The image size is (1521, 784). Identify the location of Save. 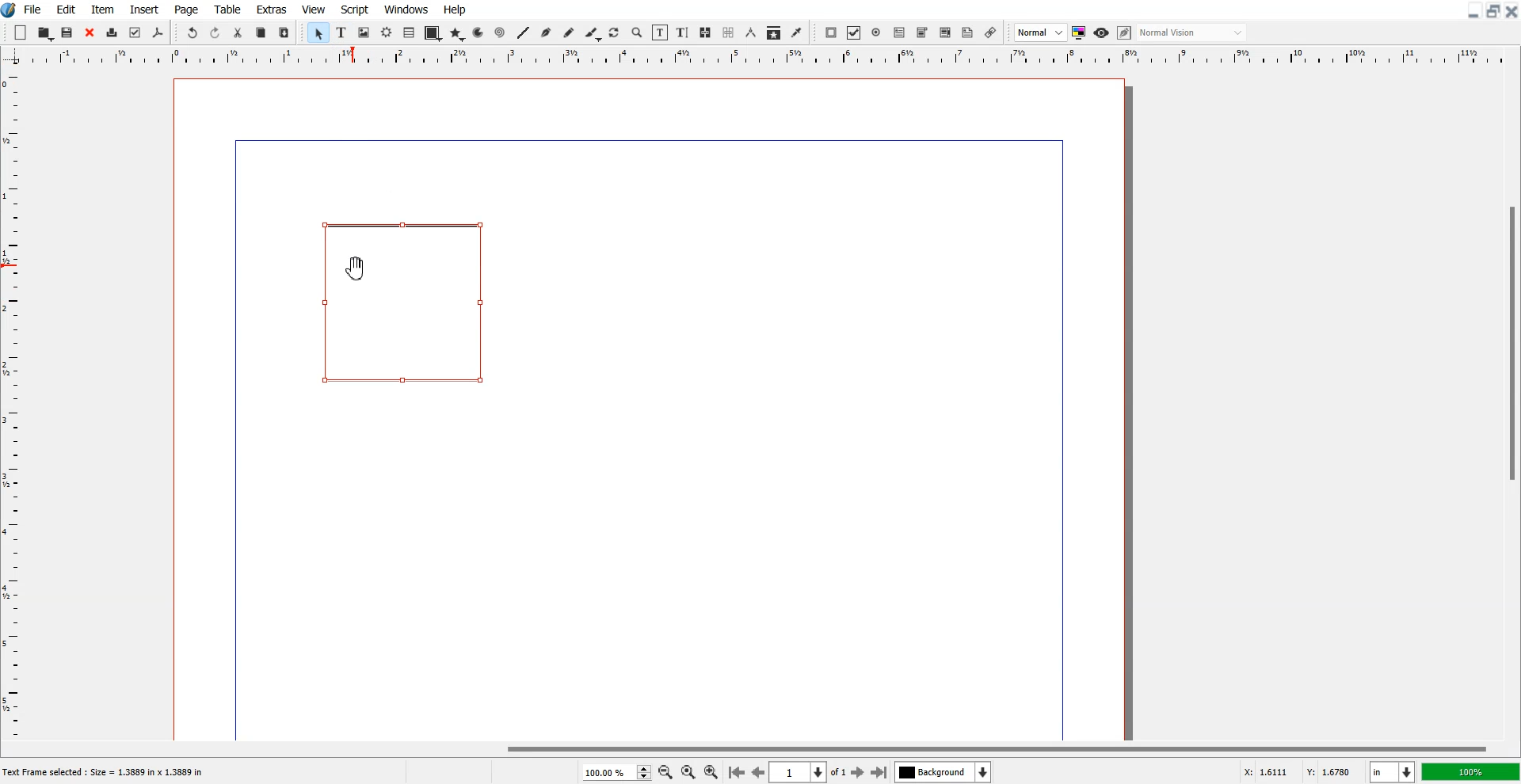
(68, 32).